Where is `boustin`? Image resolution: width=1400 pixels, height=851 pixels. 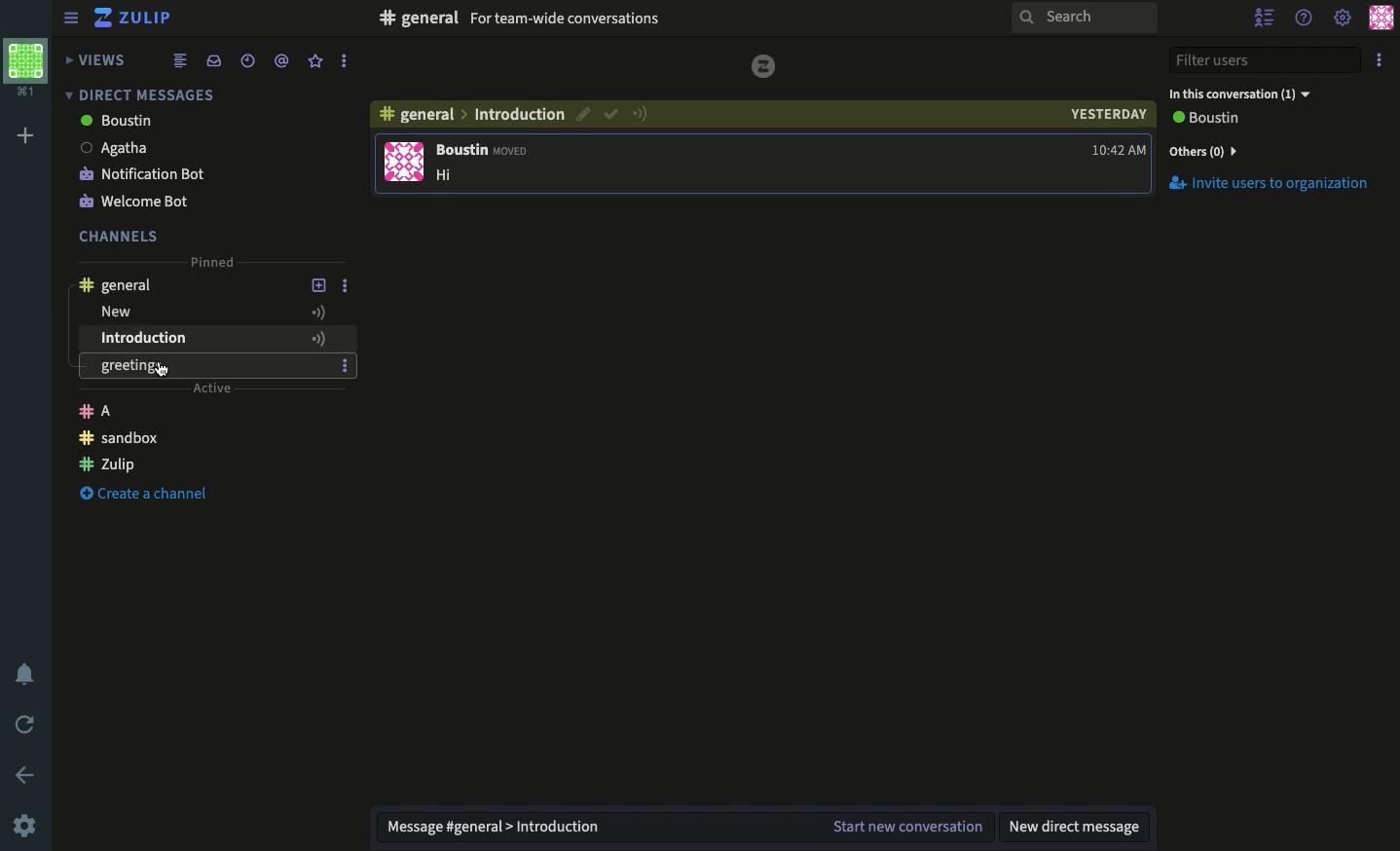 boustin is located at coordinates (182, 122).